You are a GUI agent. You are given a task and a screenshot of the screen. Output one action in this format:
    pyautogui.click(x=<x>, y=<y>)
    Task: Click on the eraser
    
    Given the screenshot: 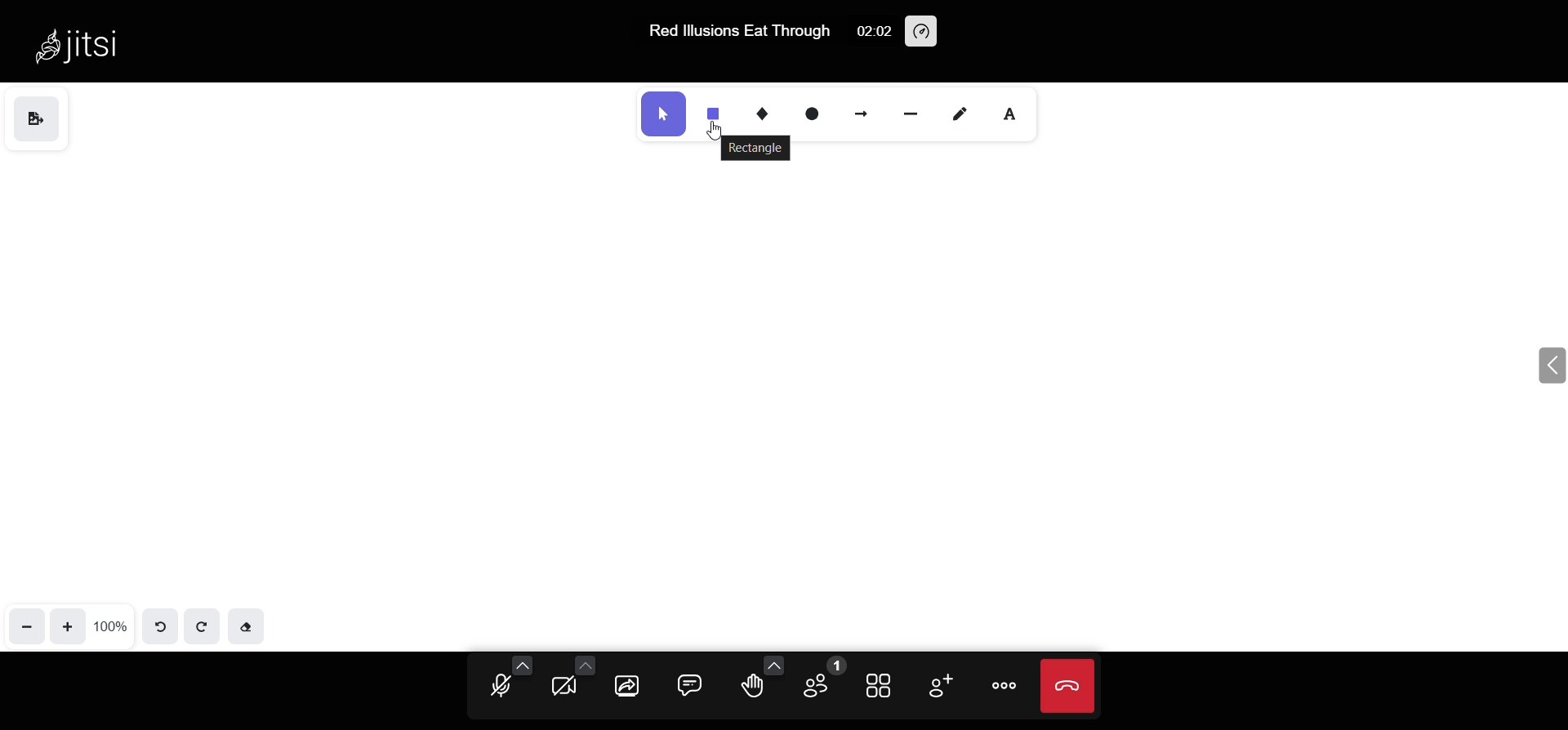 What is the action you would take?
    pyautogui.click(x=248, y=628)
    